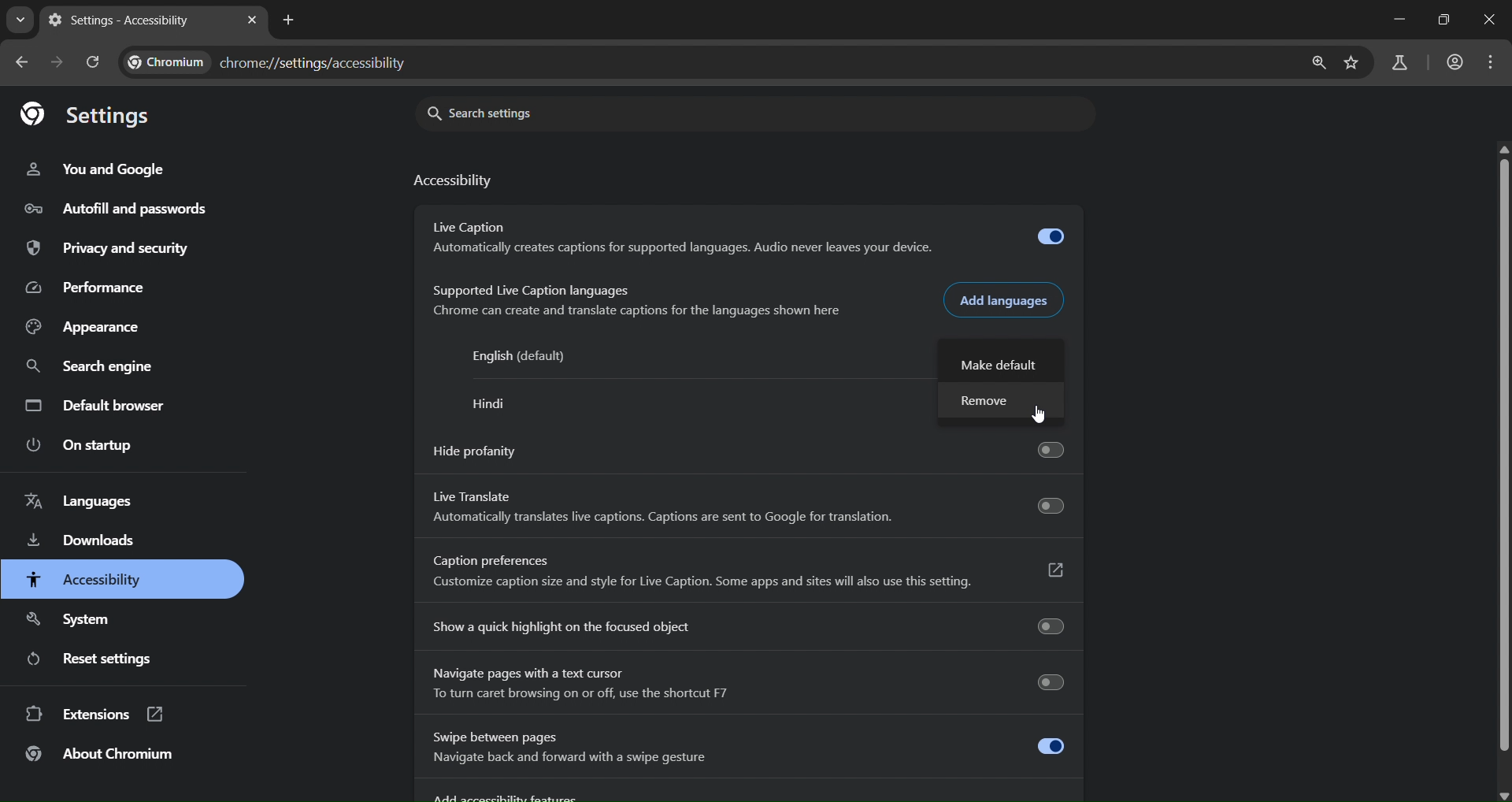  I want to click on English (default), so click(518, 354).